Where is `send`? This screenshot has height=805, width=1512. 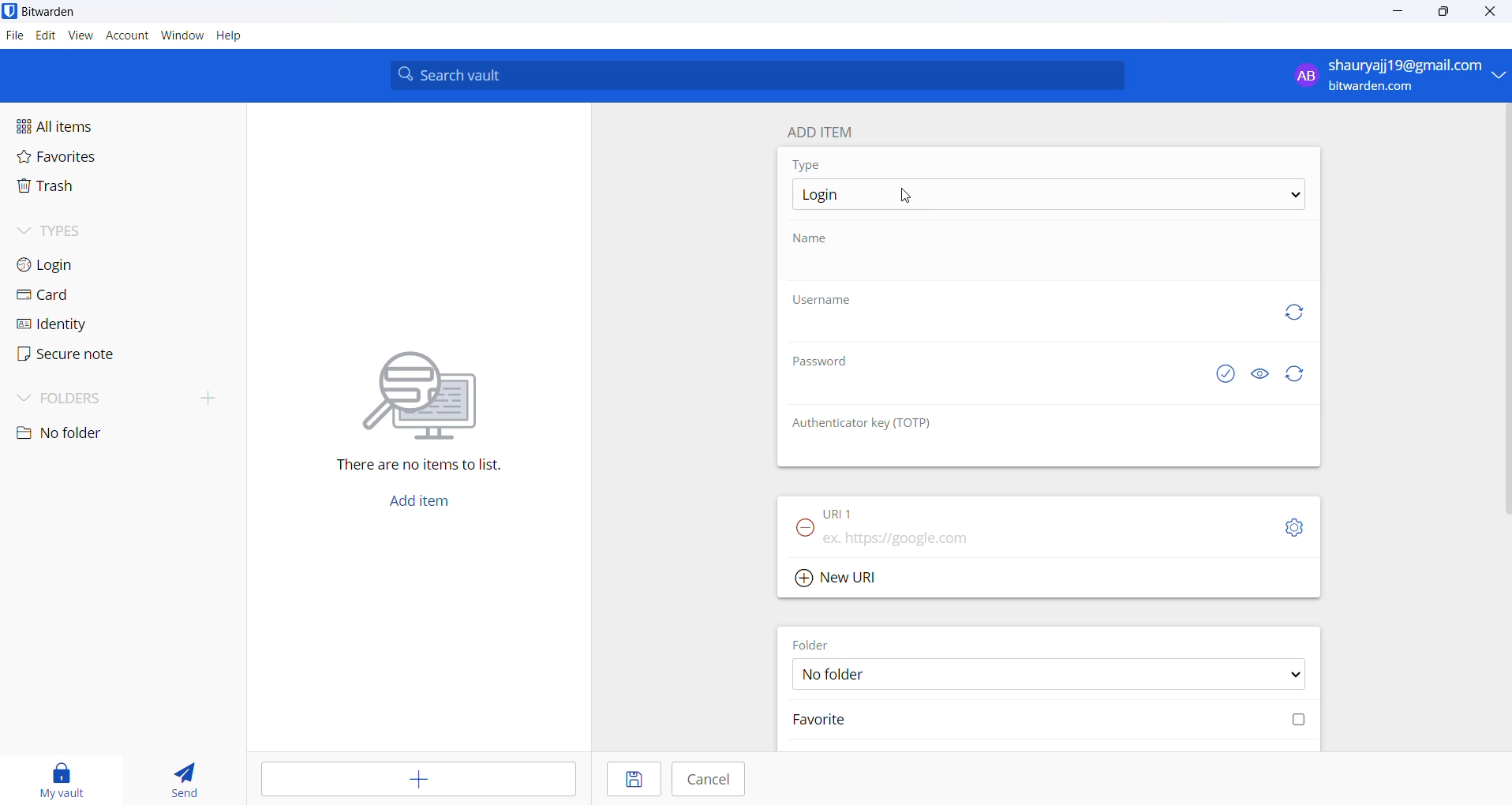
send is located at coordinates (183, 776).